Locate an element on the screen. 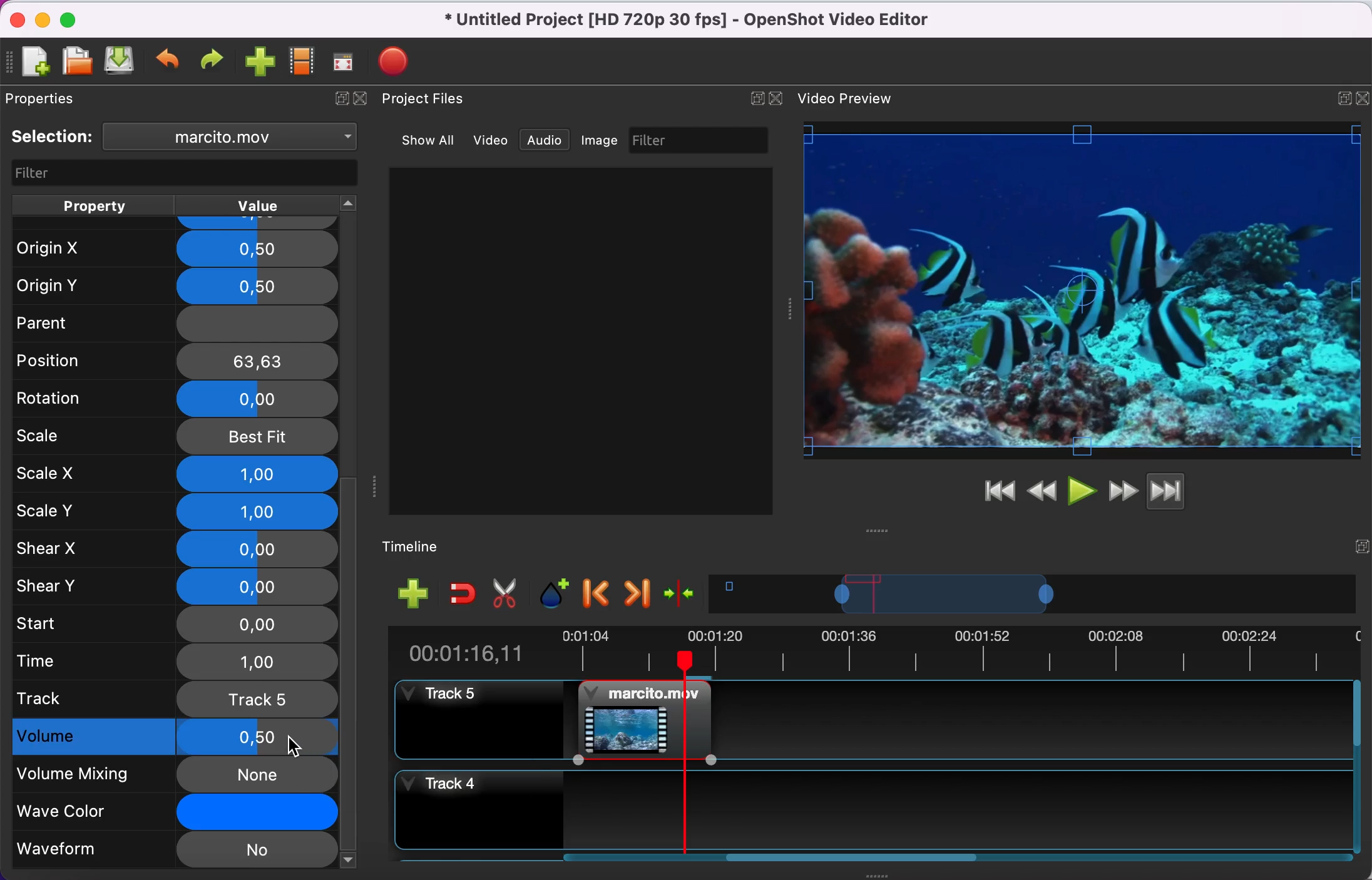  timeline is located at coordinates (1036, 597).